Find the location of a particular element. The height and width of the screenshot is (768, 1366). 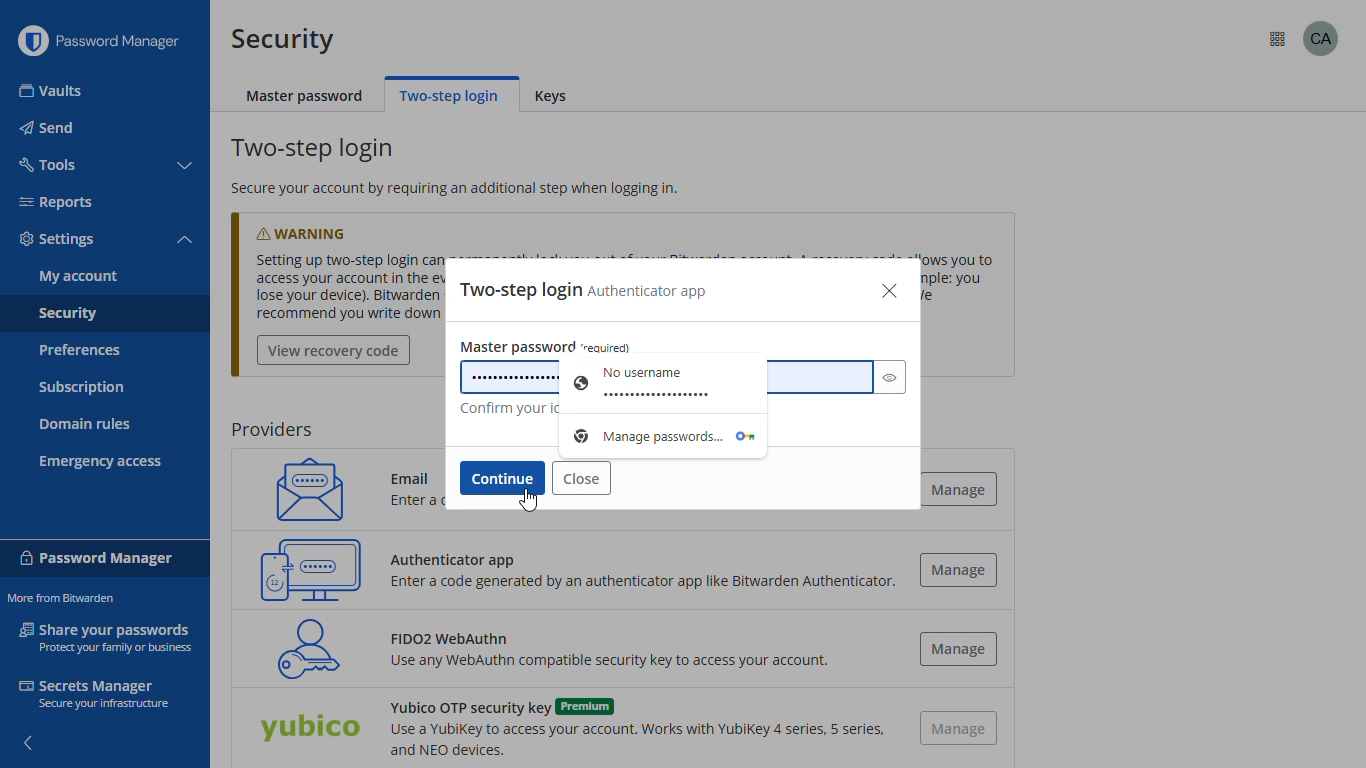

manage is located at coordinates (960, 729).